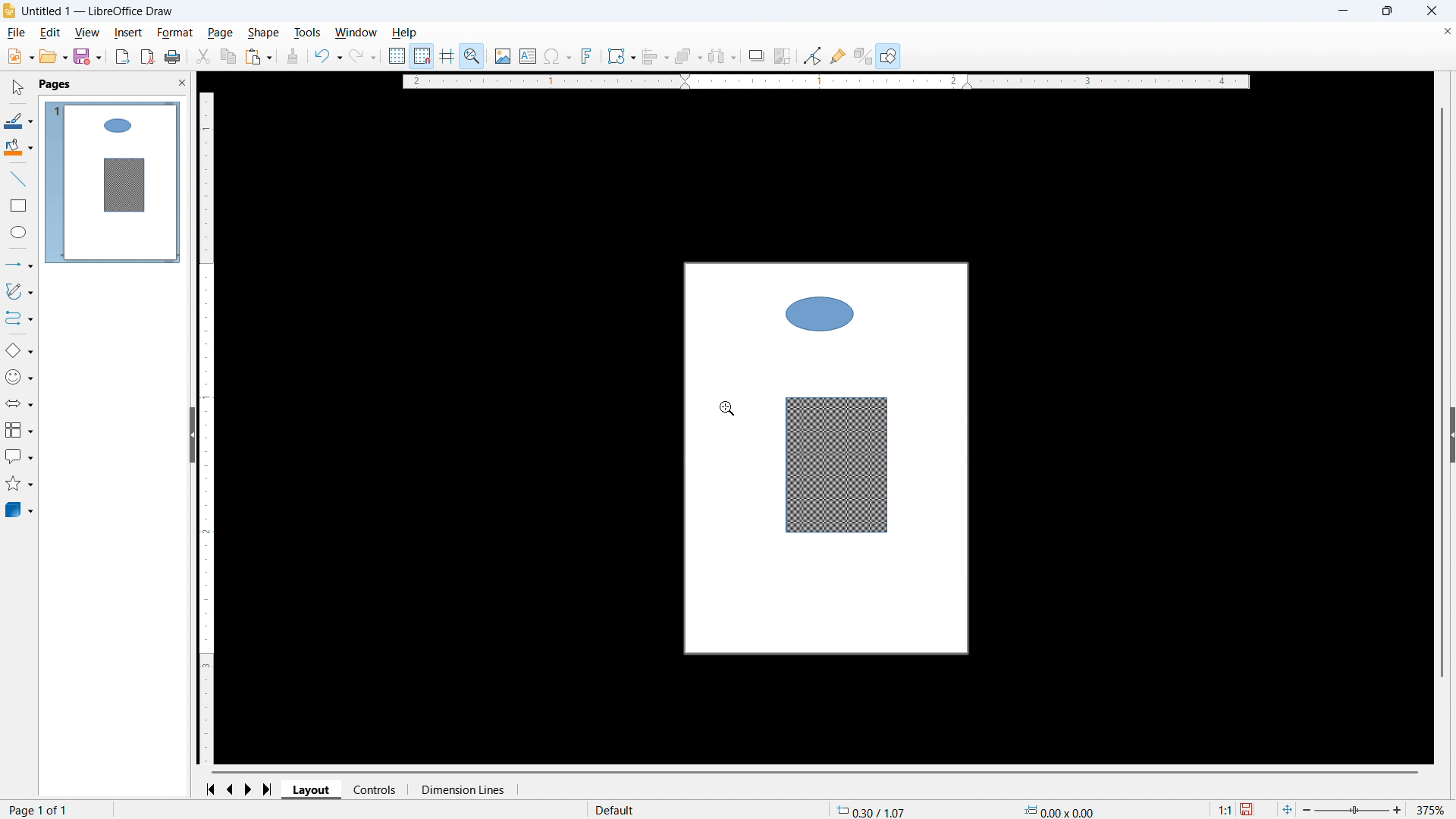 This screenshot has width=1456, height=819. Describe the element at coordinates (122, 56) in the screenshot. I see `Export ` at that location.